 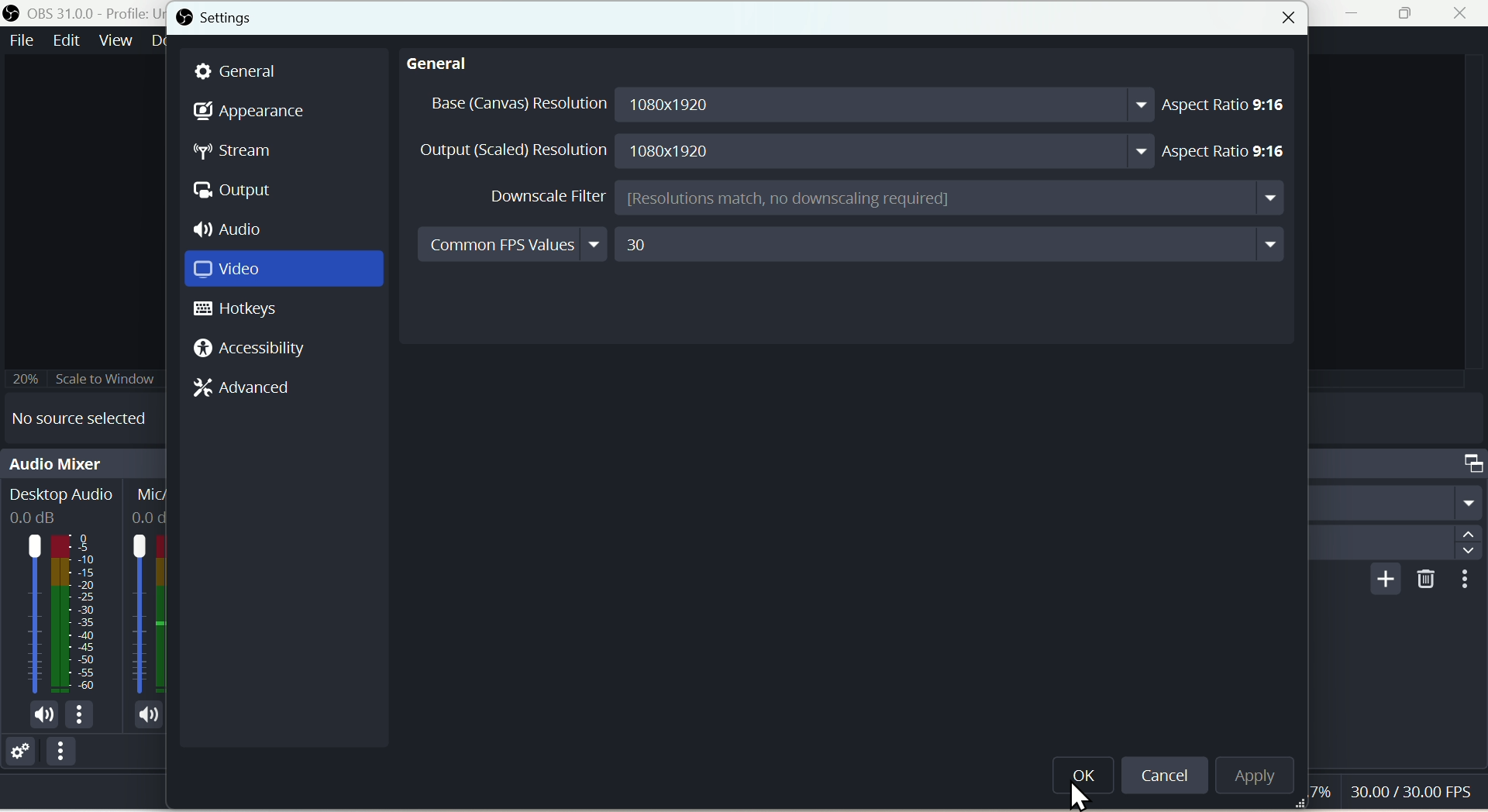 What do you see at coordinates (1394, 793) in the screenshot?
I see `cursor` at bounding box center [1394, 793].